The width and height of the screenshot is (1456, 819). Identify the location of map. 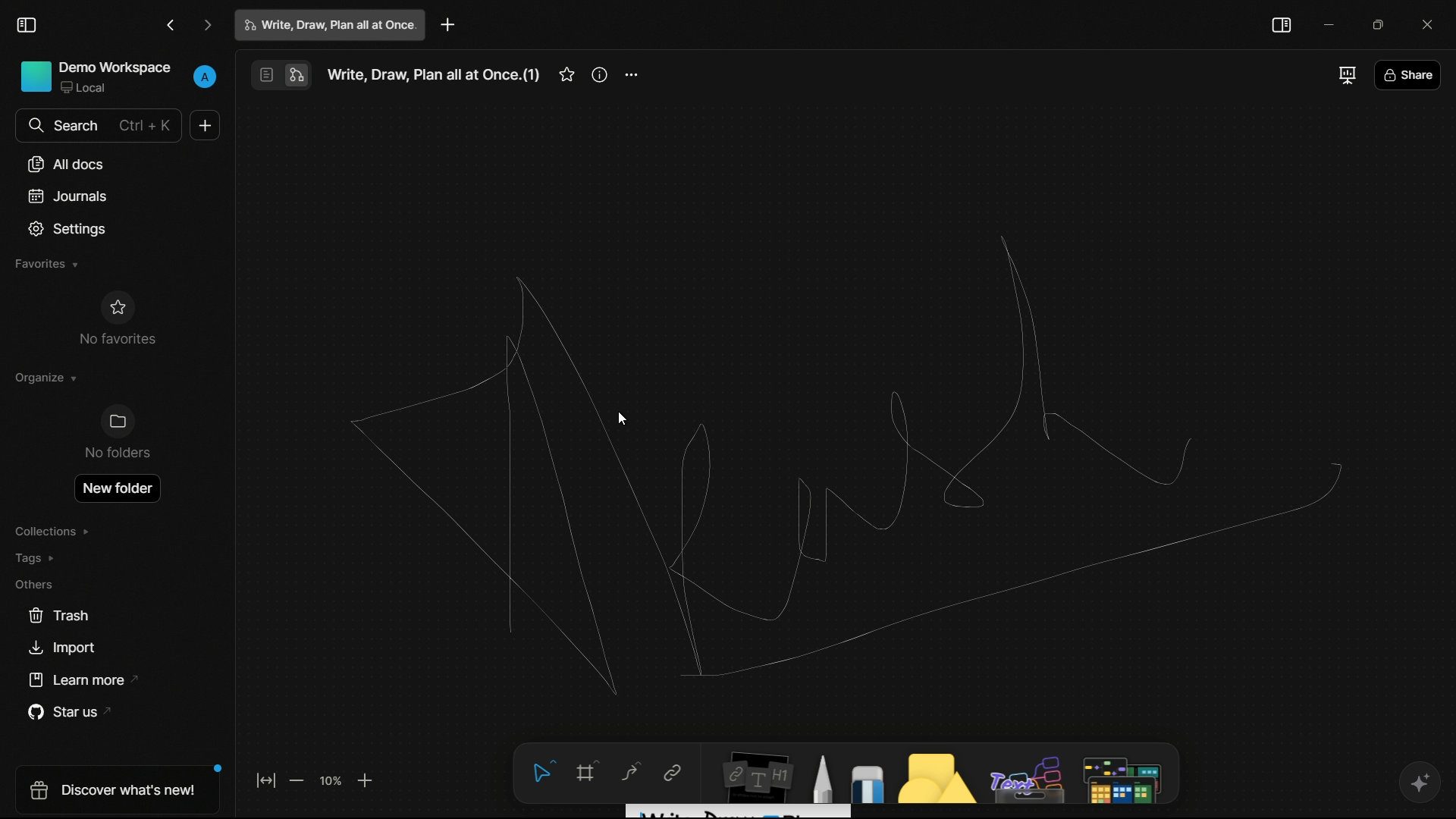
(1123, 777).